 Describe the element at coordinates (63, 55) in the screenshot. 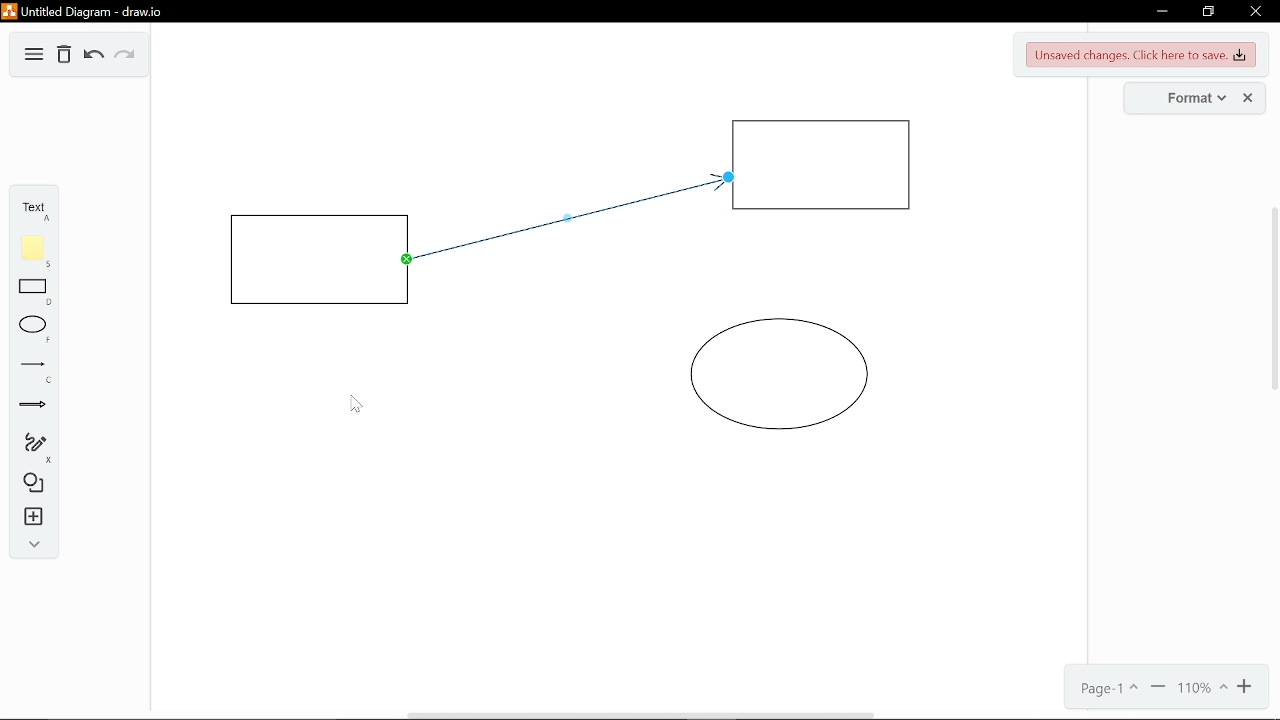

I see `Delete` at that location.